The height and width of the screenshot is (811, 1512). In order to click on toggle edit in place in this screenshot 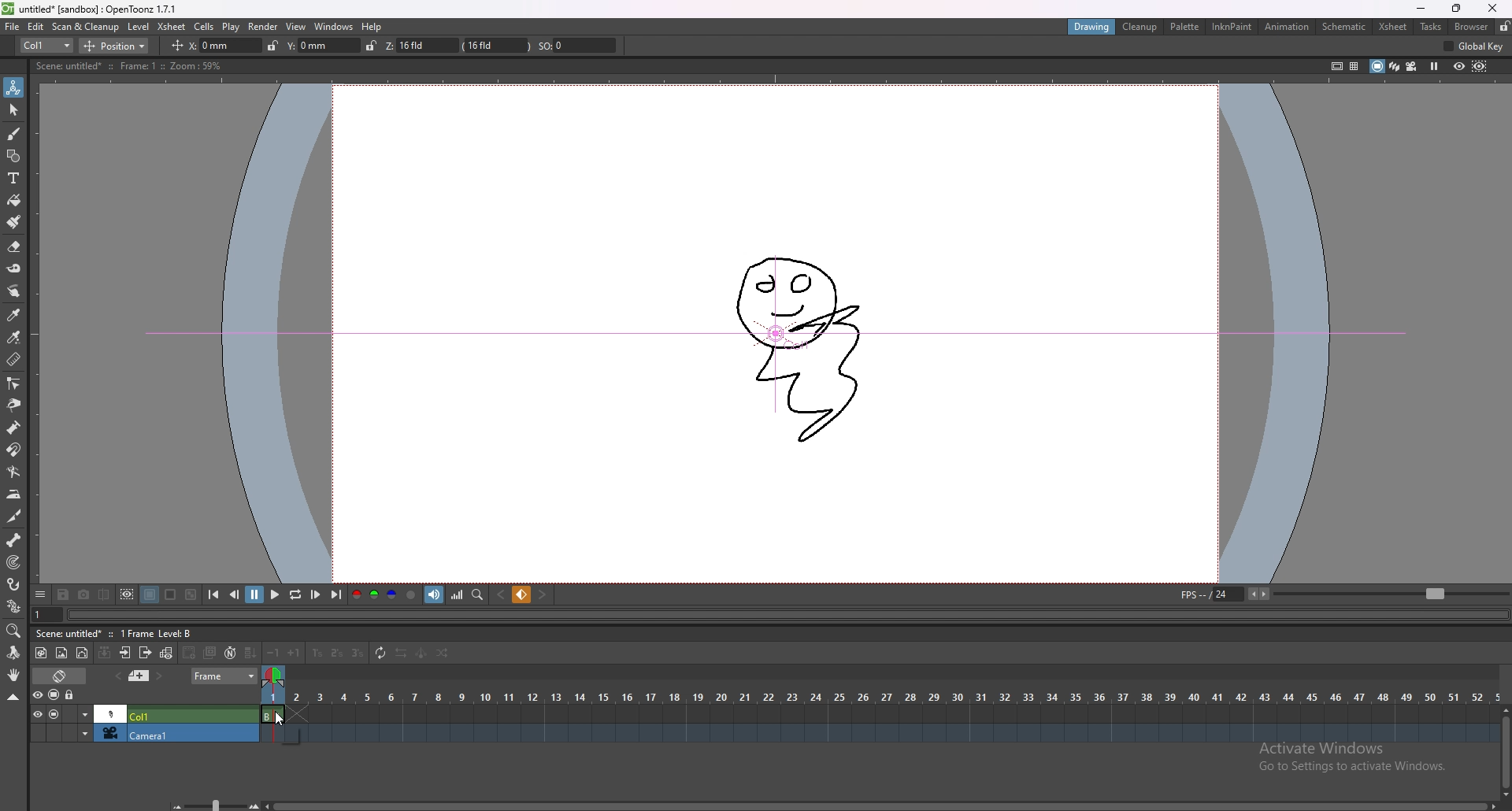, I will do `click(165, 653)`.